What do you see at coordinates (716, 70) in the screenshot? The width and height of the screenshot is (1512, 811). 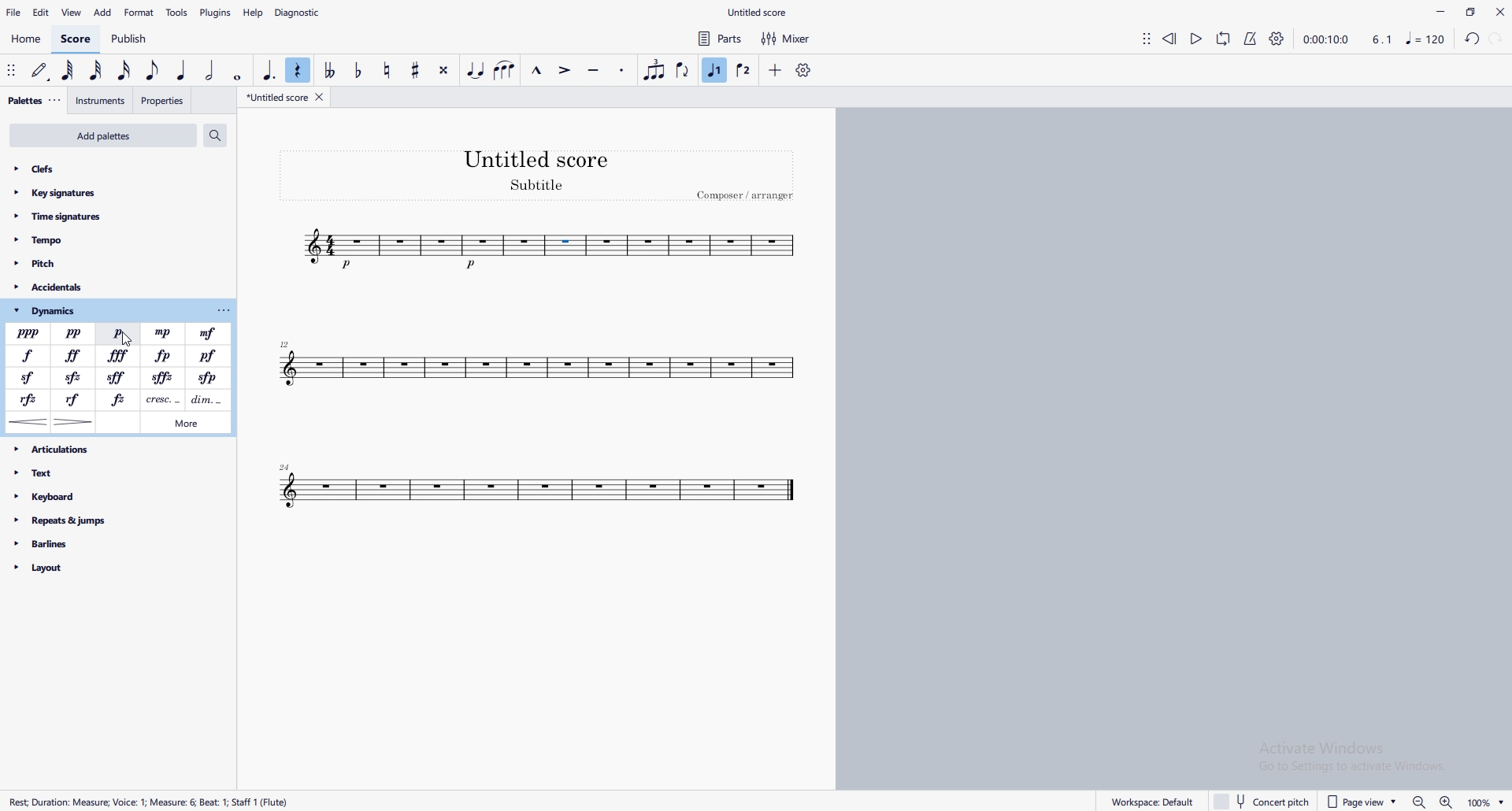 I see `voice 1` at bounding box center [716, 70].